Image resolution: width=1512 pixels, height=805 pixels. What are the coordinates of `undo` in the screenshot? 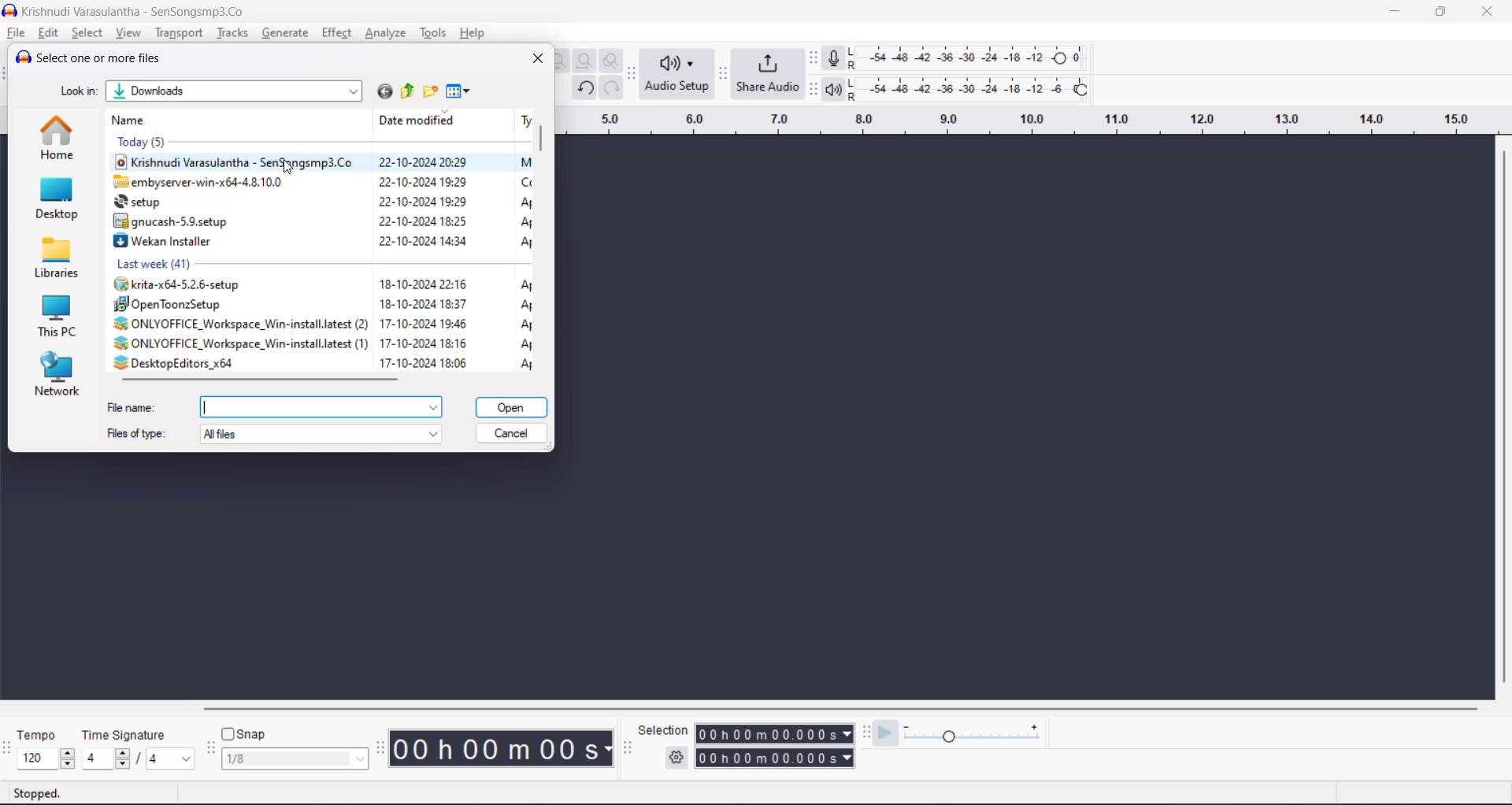 It's located at (587, 88).